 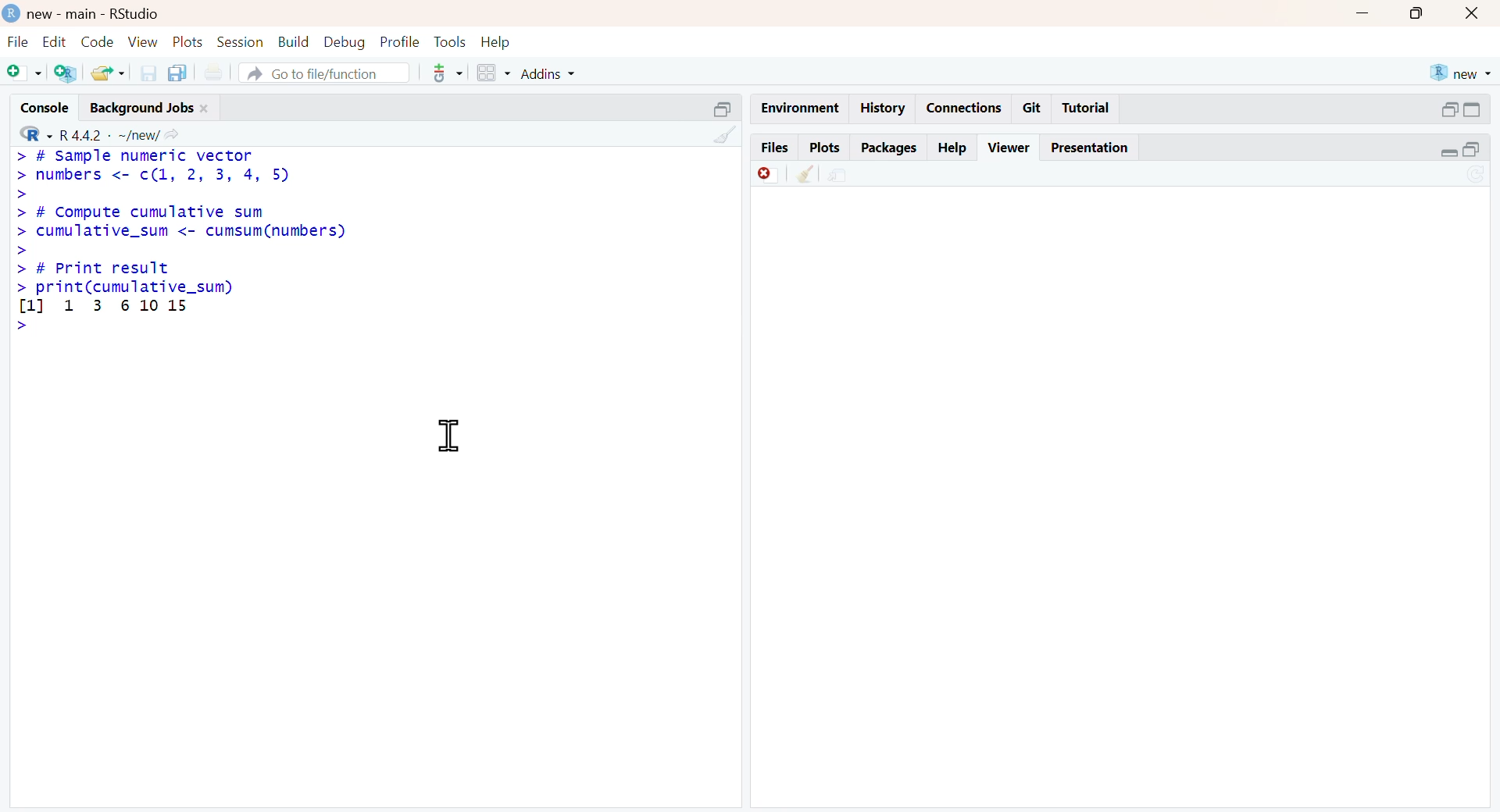 I want to click on addins, so click(x=548, y=73).